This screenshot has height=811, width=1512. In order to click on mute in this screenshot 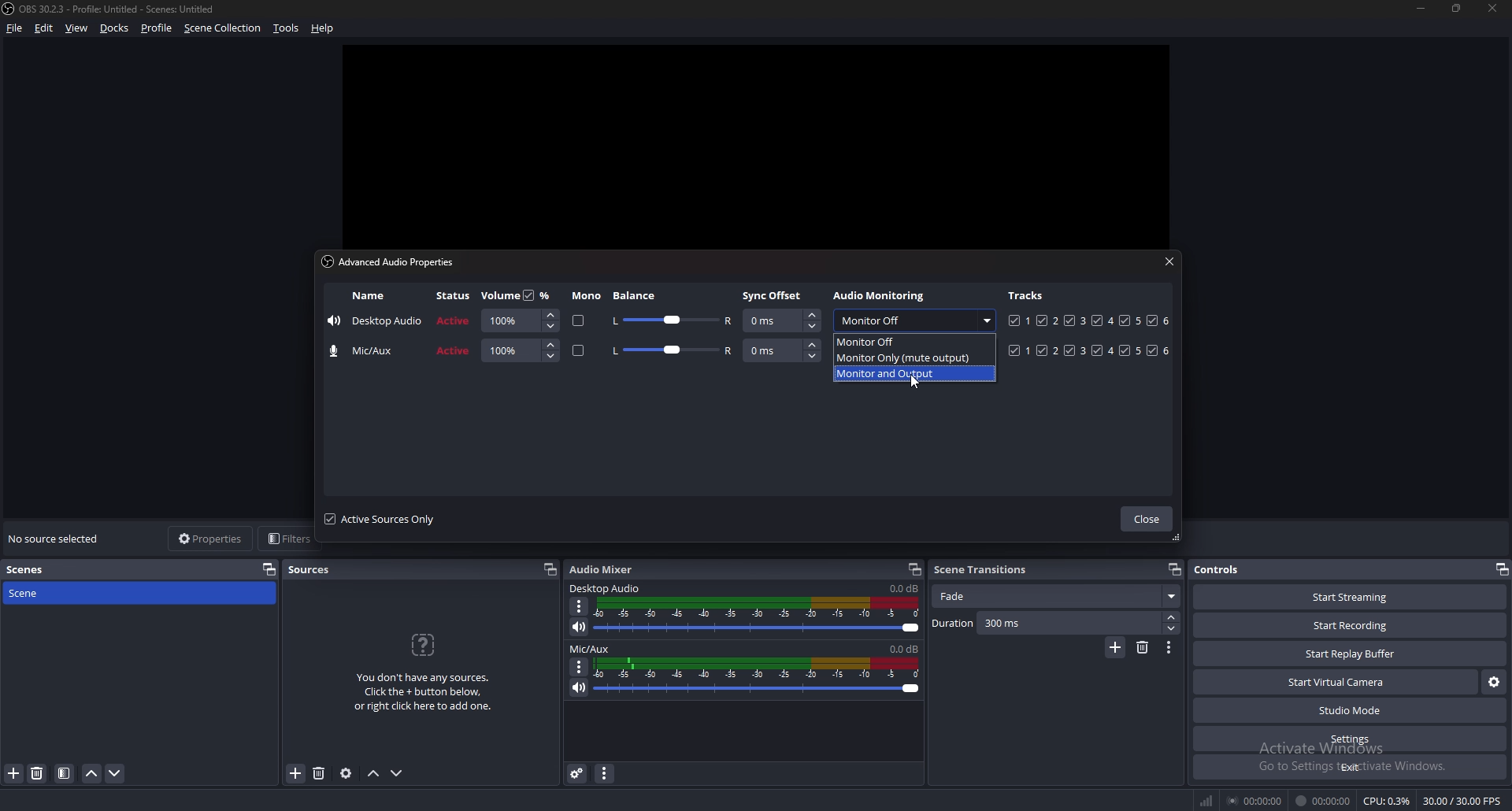, I will do `click(580, 687)`.